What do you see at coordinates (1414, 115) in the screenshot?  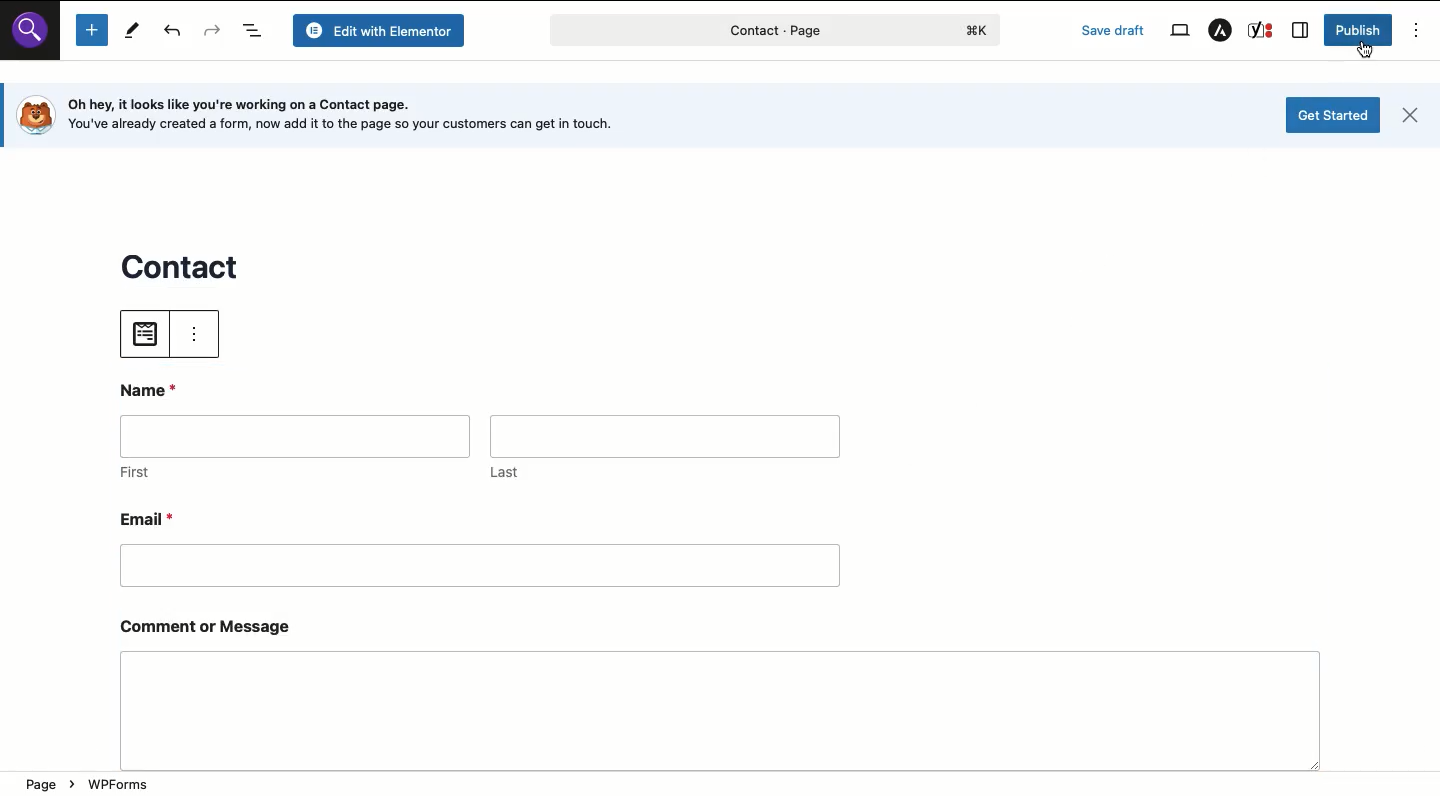 I see `close` at bounding box center [1414, 115].